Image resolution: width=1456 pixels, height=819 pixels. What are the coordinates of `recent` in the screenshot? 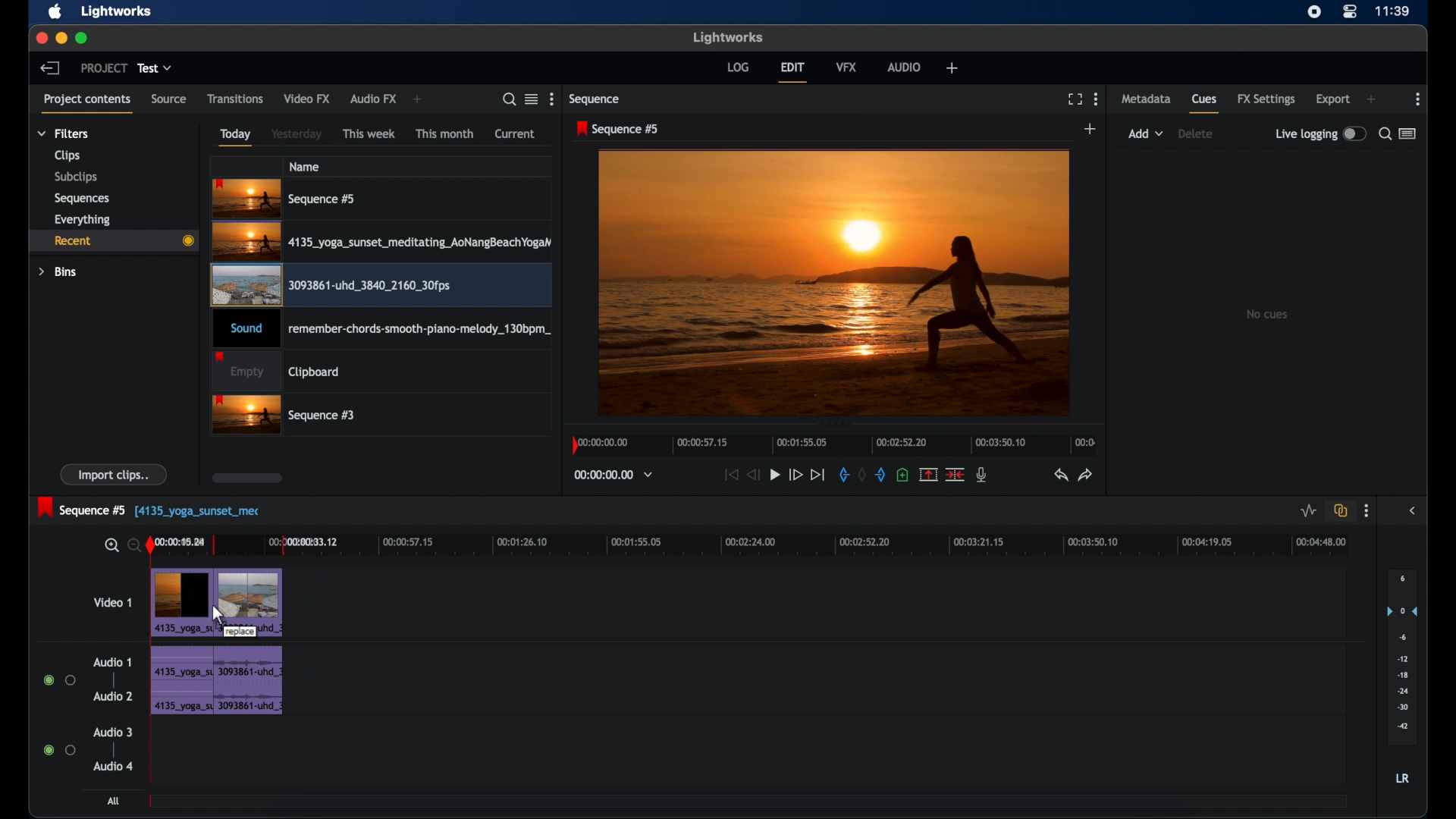 It's located at (113, 241).